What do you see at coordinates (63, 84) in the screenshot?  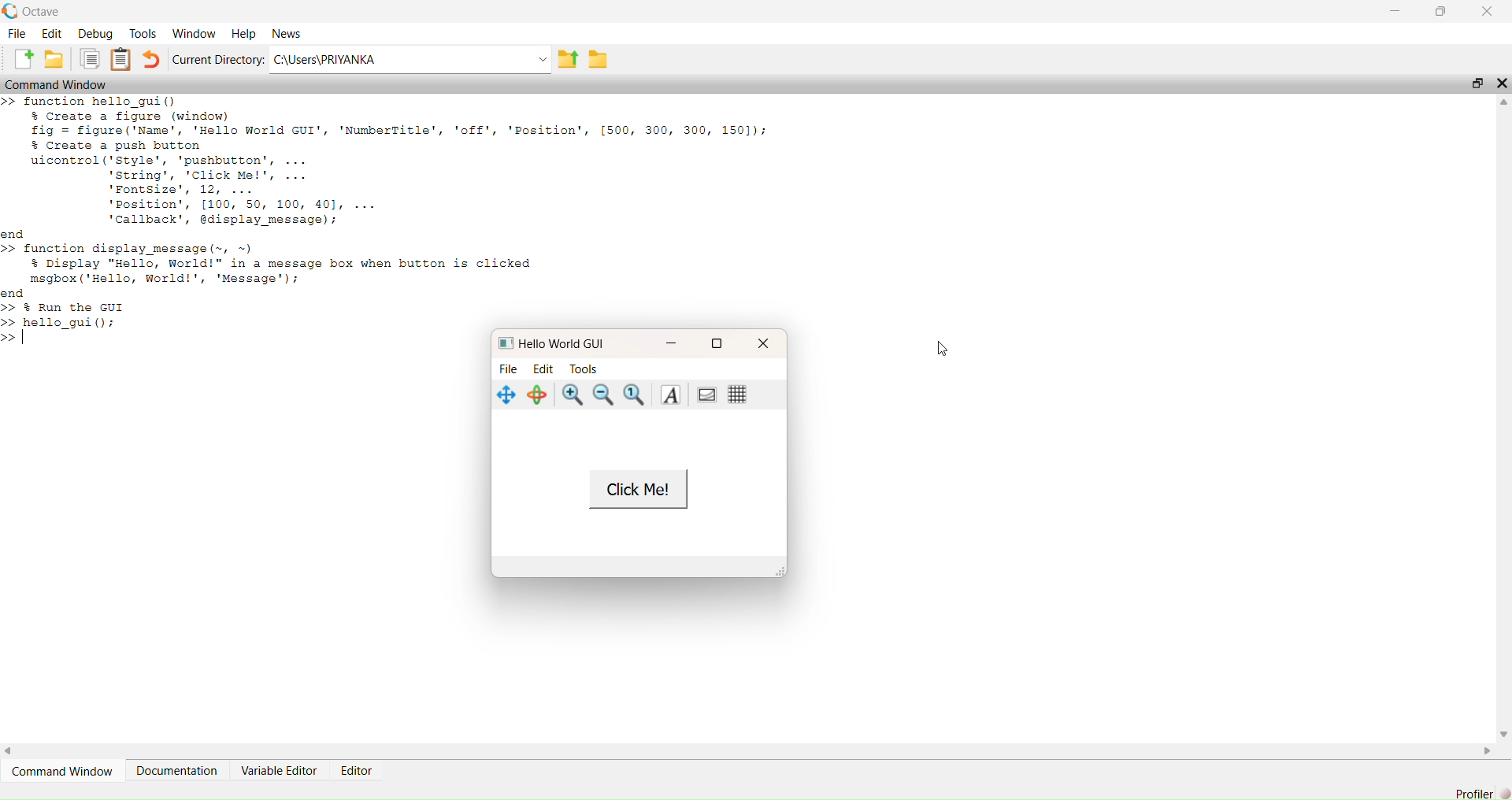 I see `Command Window` at bounding box center [63, 84].